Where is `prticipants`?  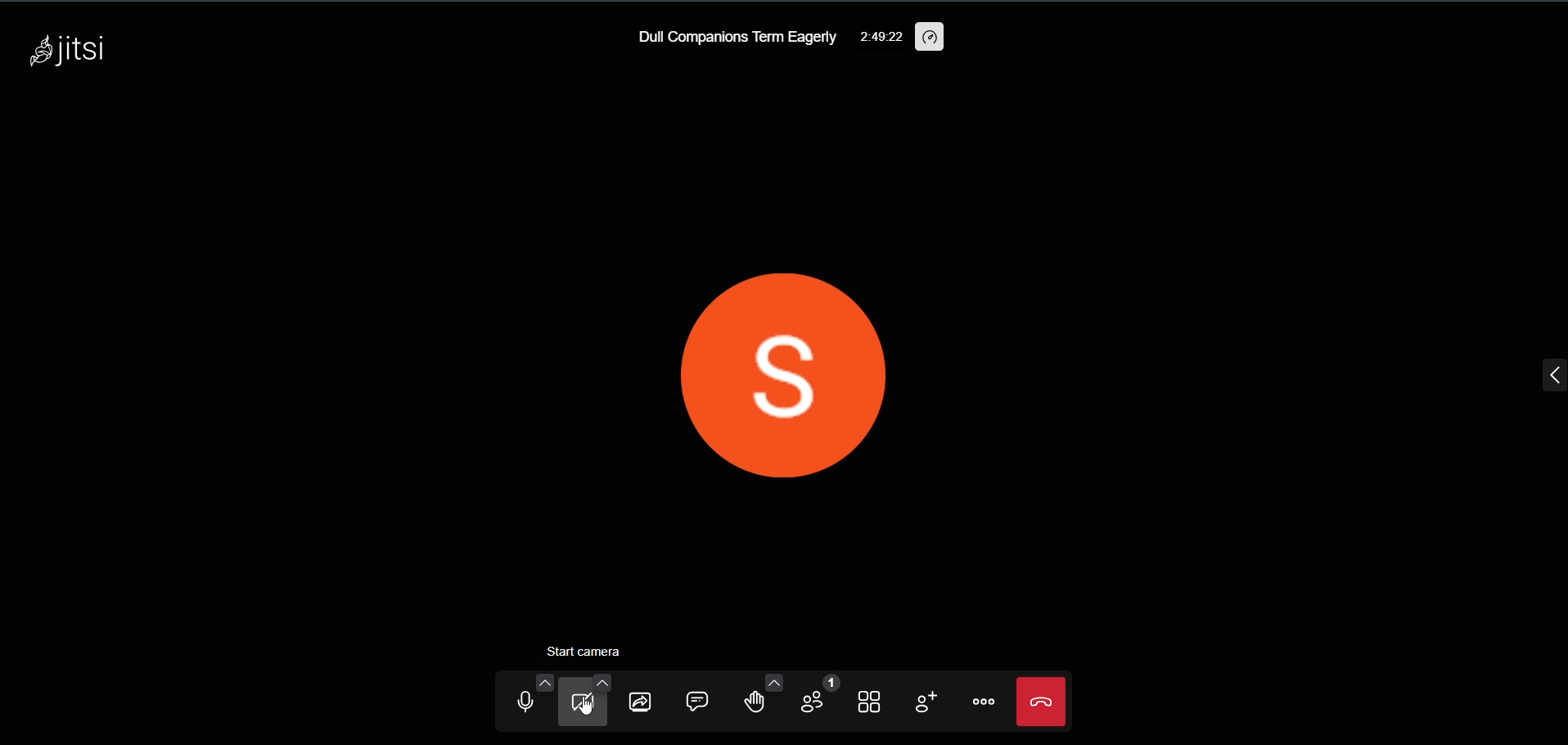 prticipants is located at coordinates (811, 697).